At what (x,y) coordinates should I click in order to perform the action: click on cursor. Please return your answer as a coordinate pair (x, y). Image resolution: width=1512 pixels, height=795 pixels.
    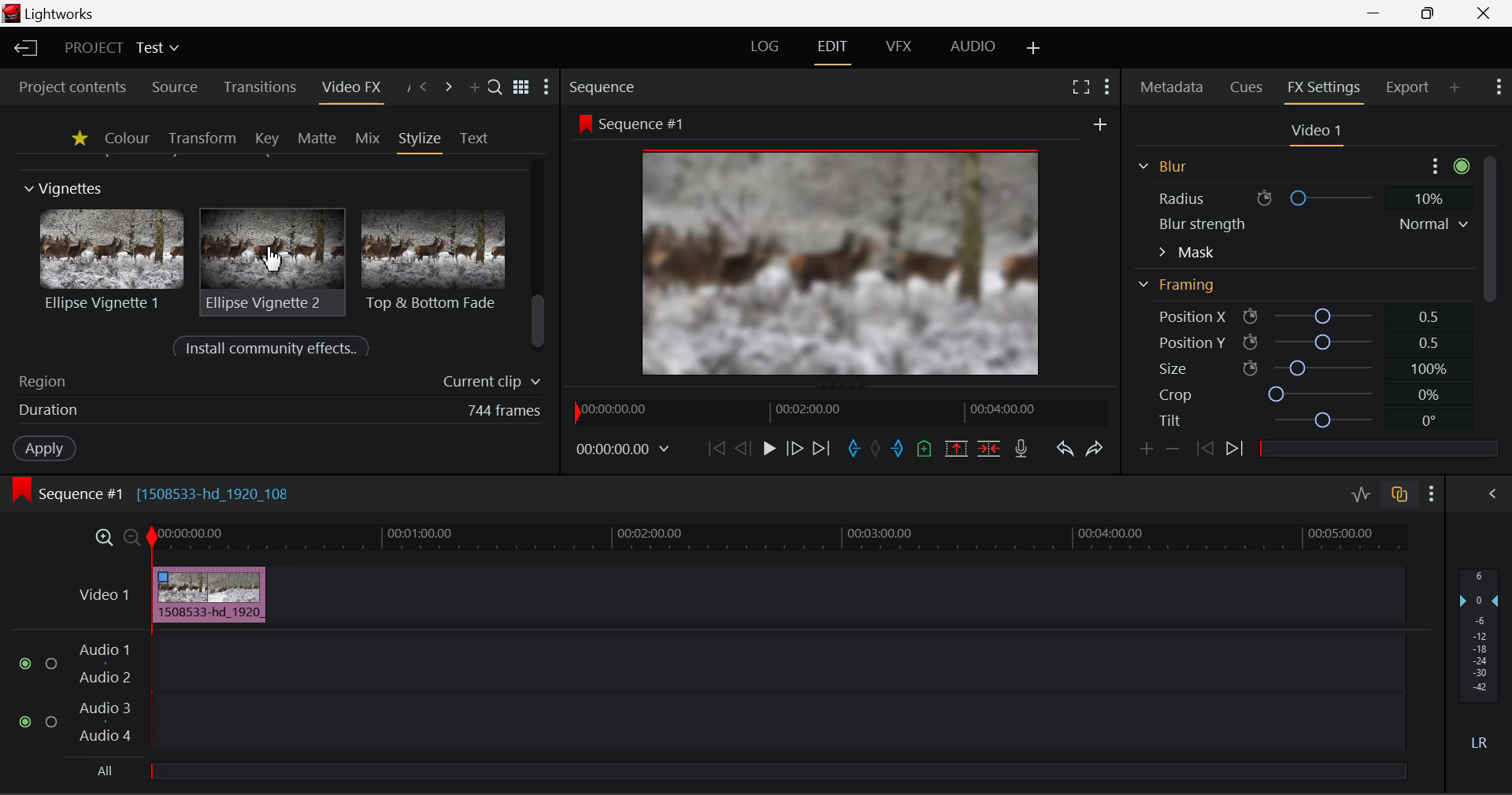
    Looking at the image, I should click on (189, 592).